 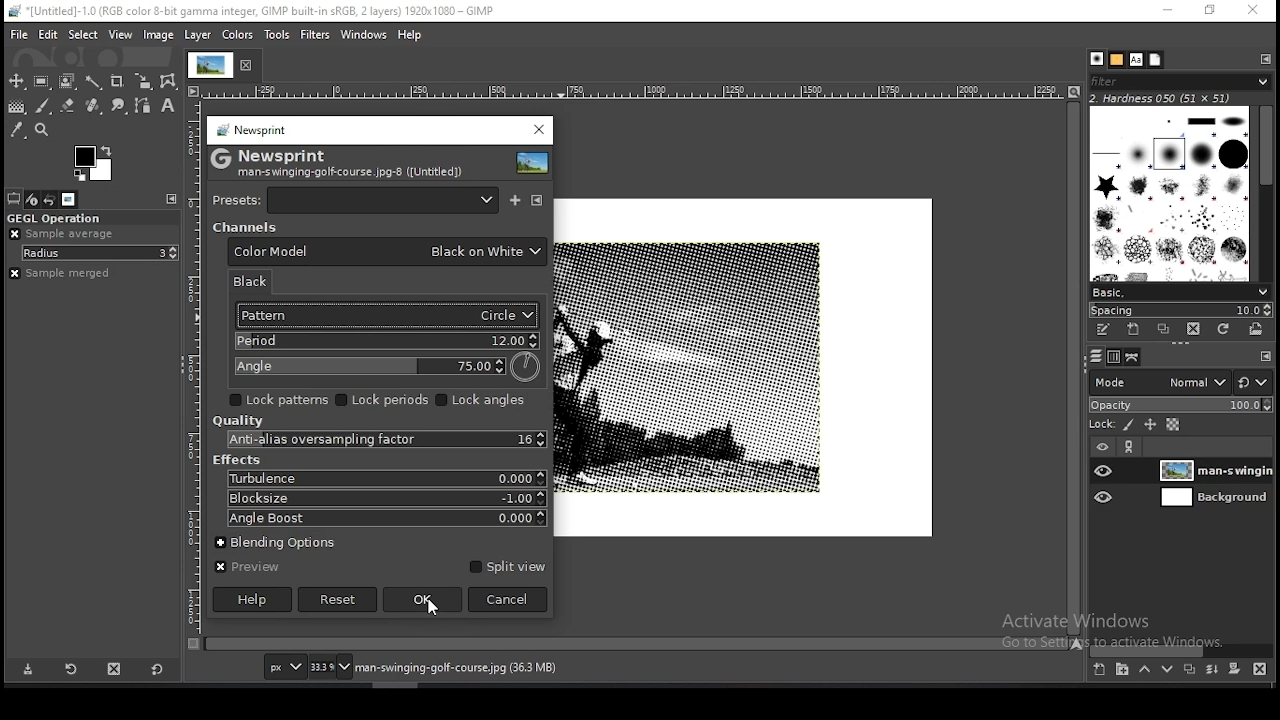 What do you see at coordinates (119, 82) in the screenshot?
I see `crop tool` at bounding box center [119, 82].